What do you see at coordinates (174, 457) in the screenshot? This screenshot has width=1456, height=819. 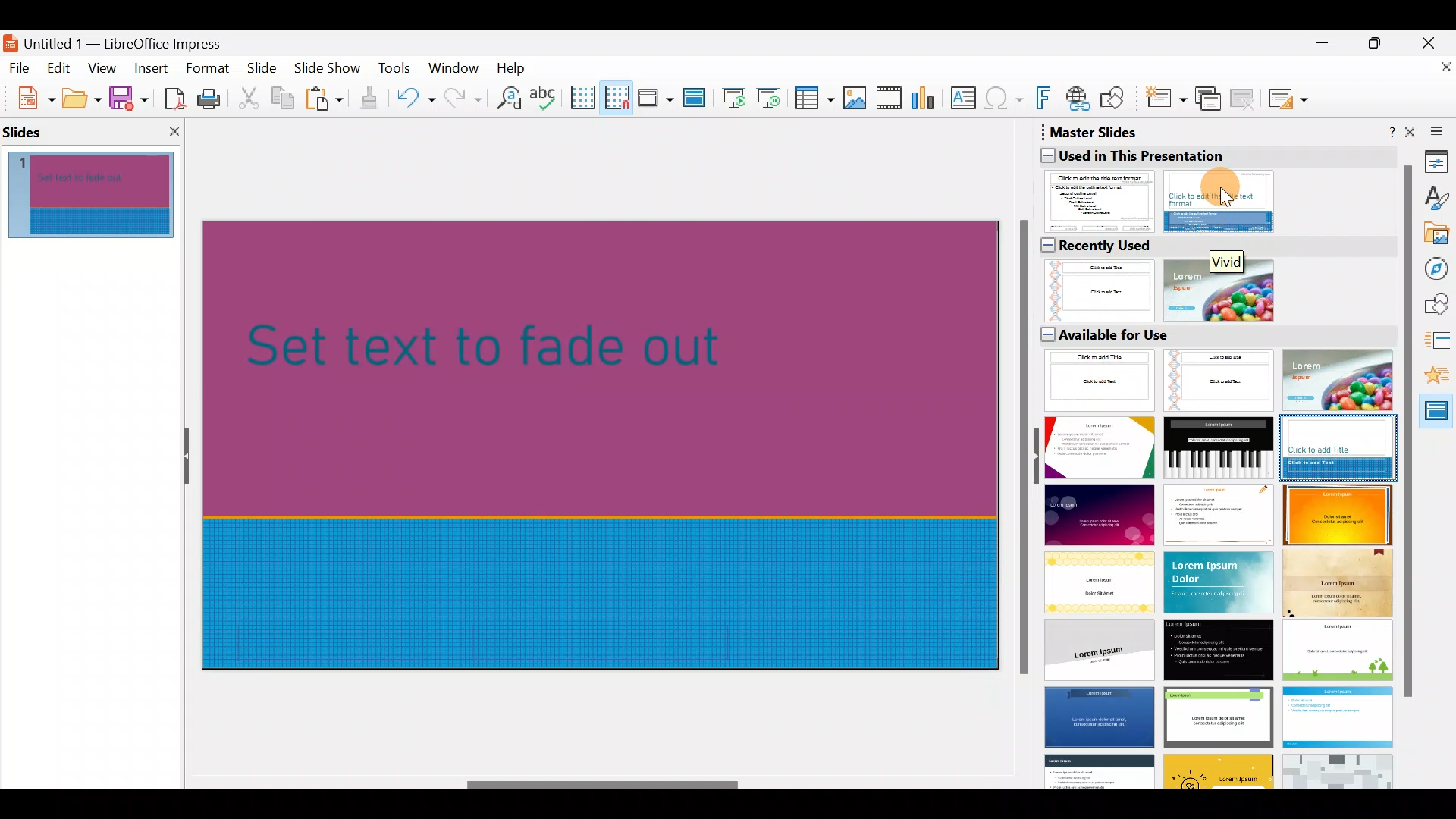 I see `` at bounding box center [174, 457].